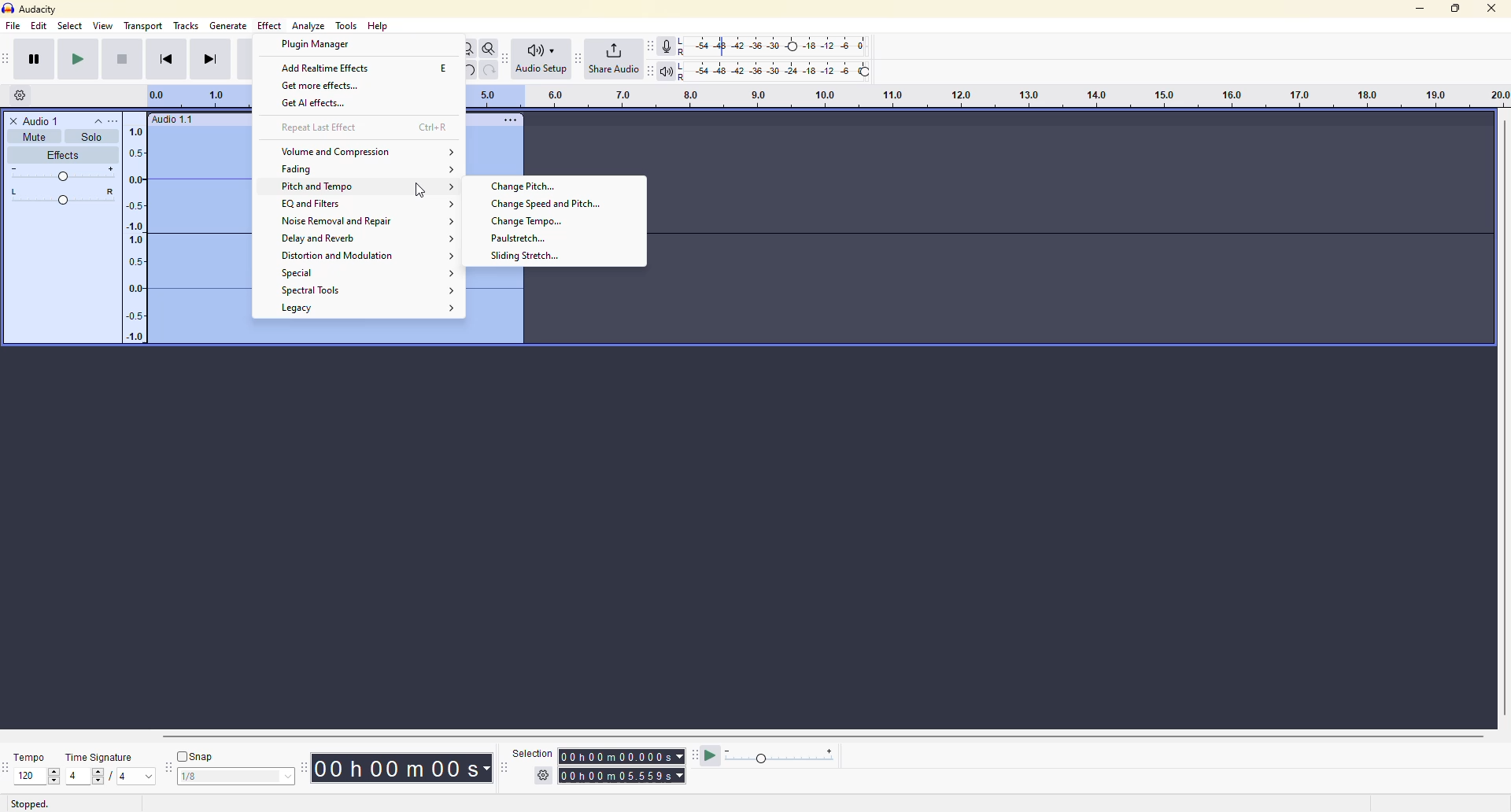 The width and height of the screenshot is (1511, 812). What do you see at coordinates (168, 767) in the screenshot?
I see `snapping toolbar` at bounding box center [168, 767].